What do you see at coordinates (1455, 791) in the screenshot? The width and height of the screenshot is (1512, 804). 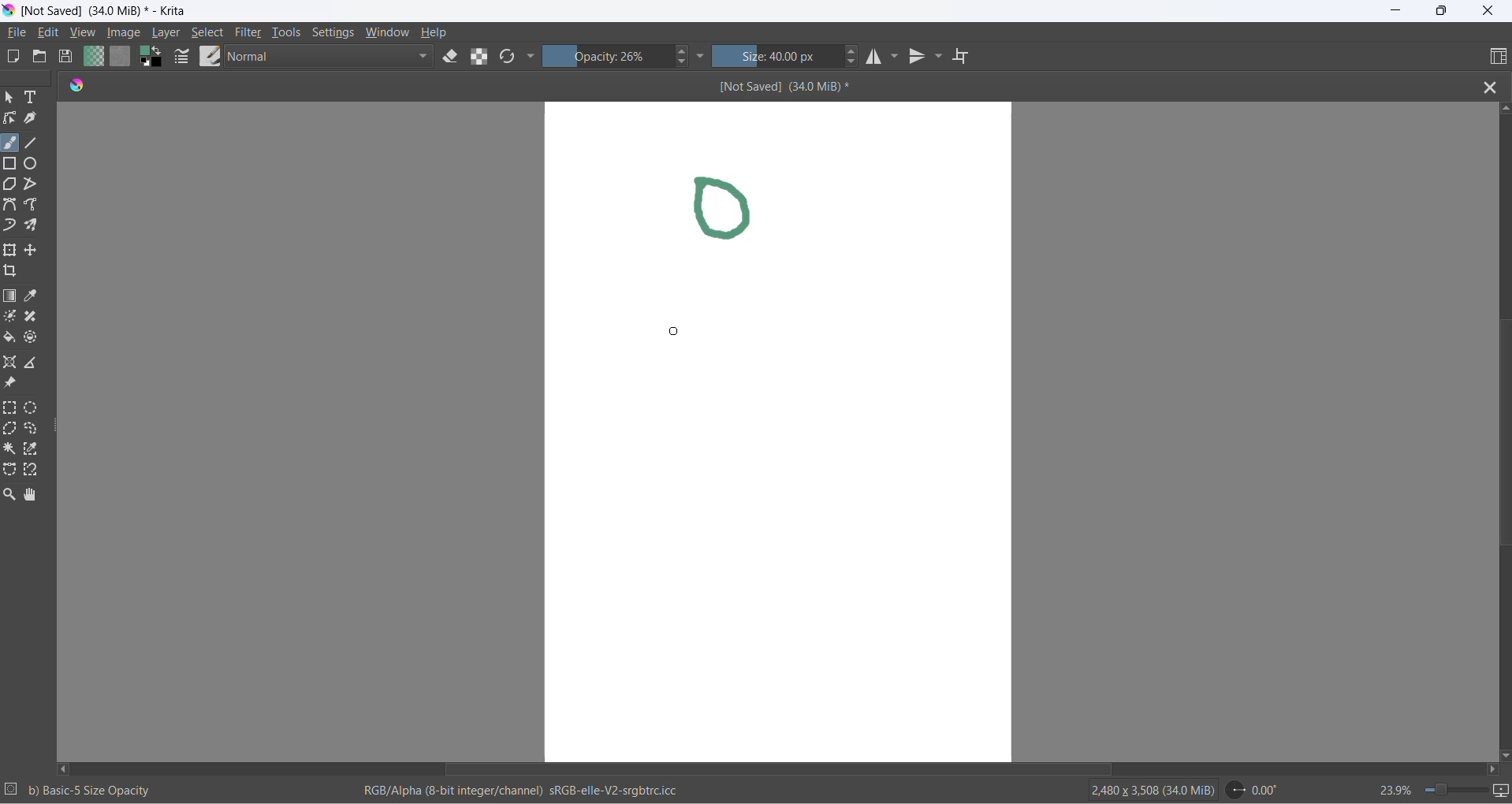 I see `zoom slider` at bounding box center [1455, 791].